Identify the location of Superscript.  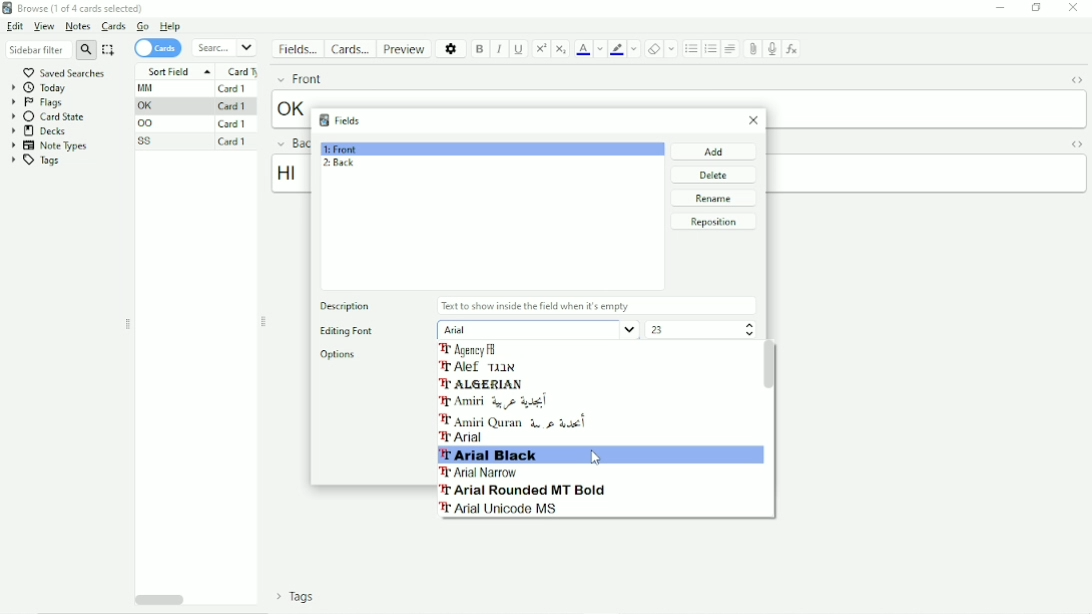
(542, 48).